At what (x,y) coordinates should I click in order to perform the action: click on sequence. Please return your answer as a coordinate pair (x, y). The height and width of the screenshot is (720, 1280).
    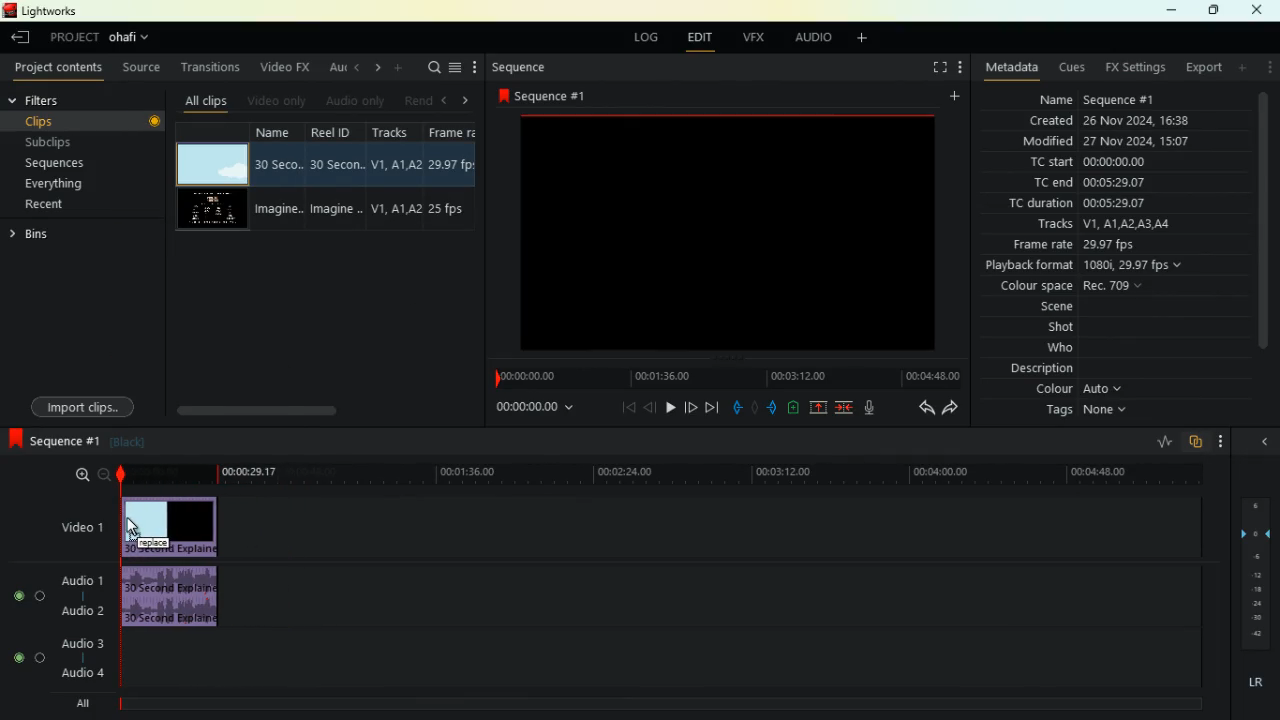
    Looking at the image, I should click on (522, 68).